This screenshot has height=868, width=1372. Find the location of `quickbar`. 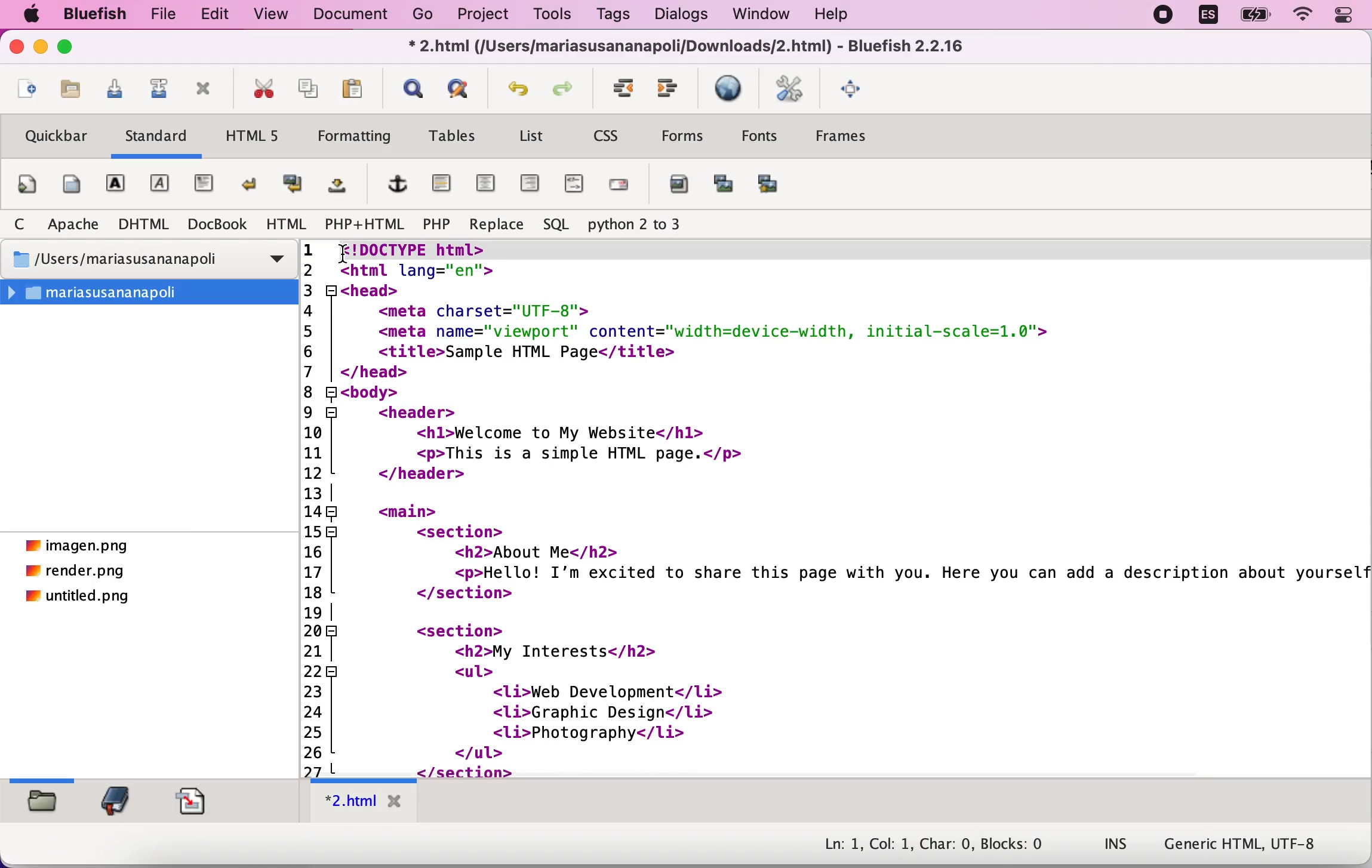

quickbar is located at coordinates (56, 136).